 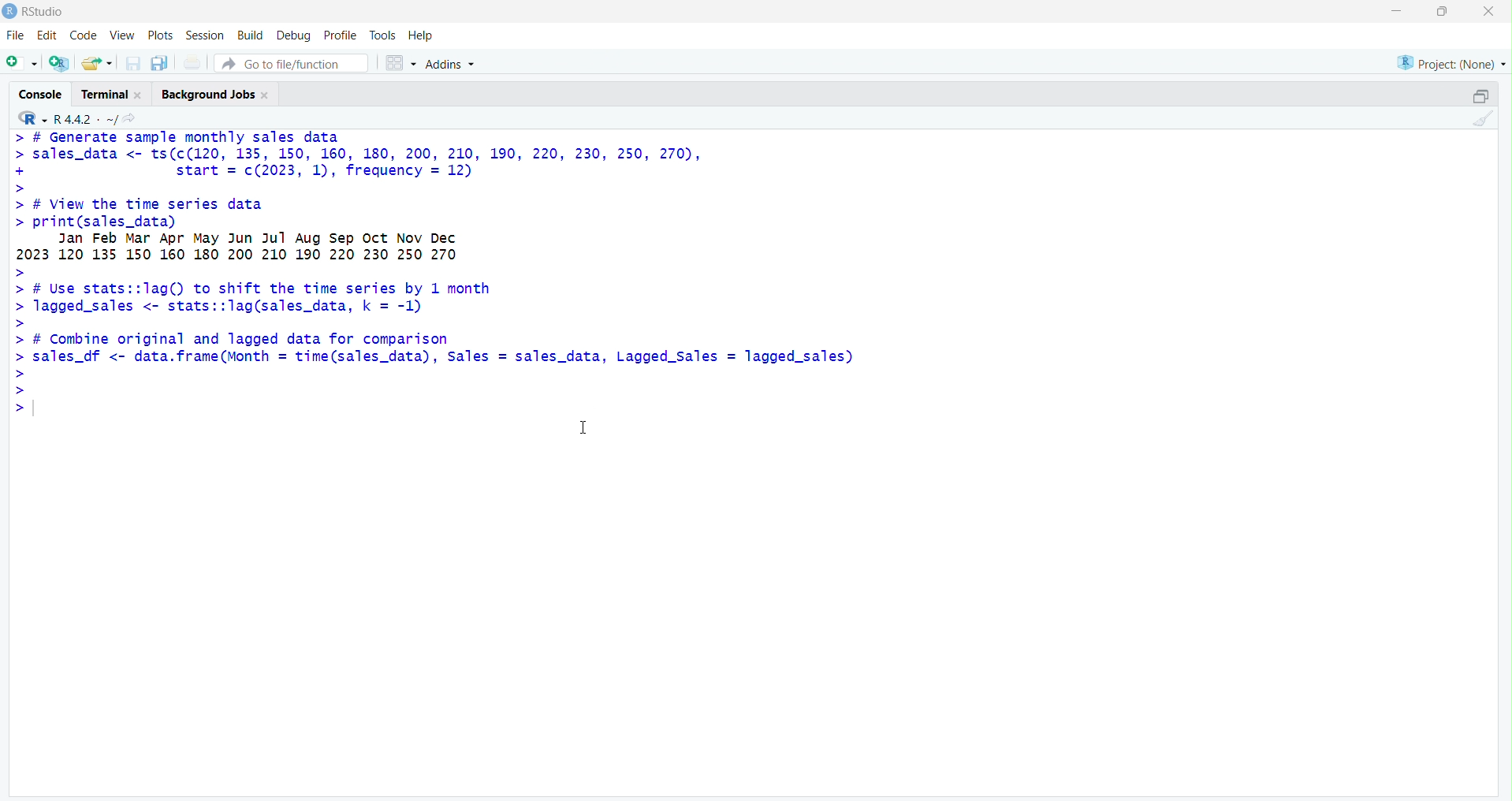 What do you see at coordinates (131, 120) in the screenshot?
I see `view the current working directory` at bounding box center [131, 120].